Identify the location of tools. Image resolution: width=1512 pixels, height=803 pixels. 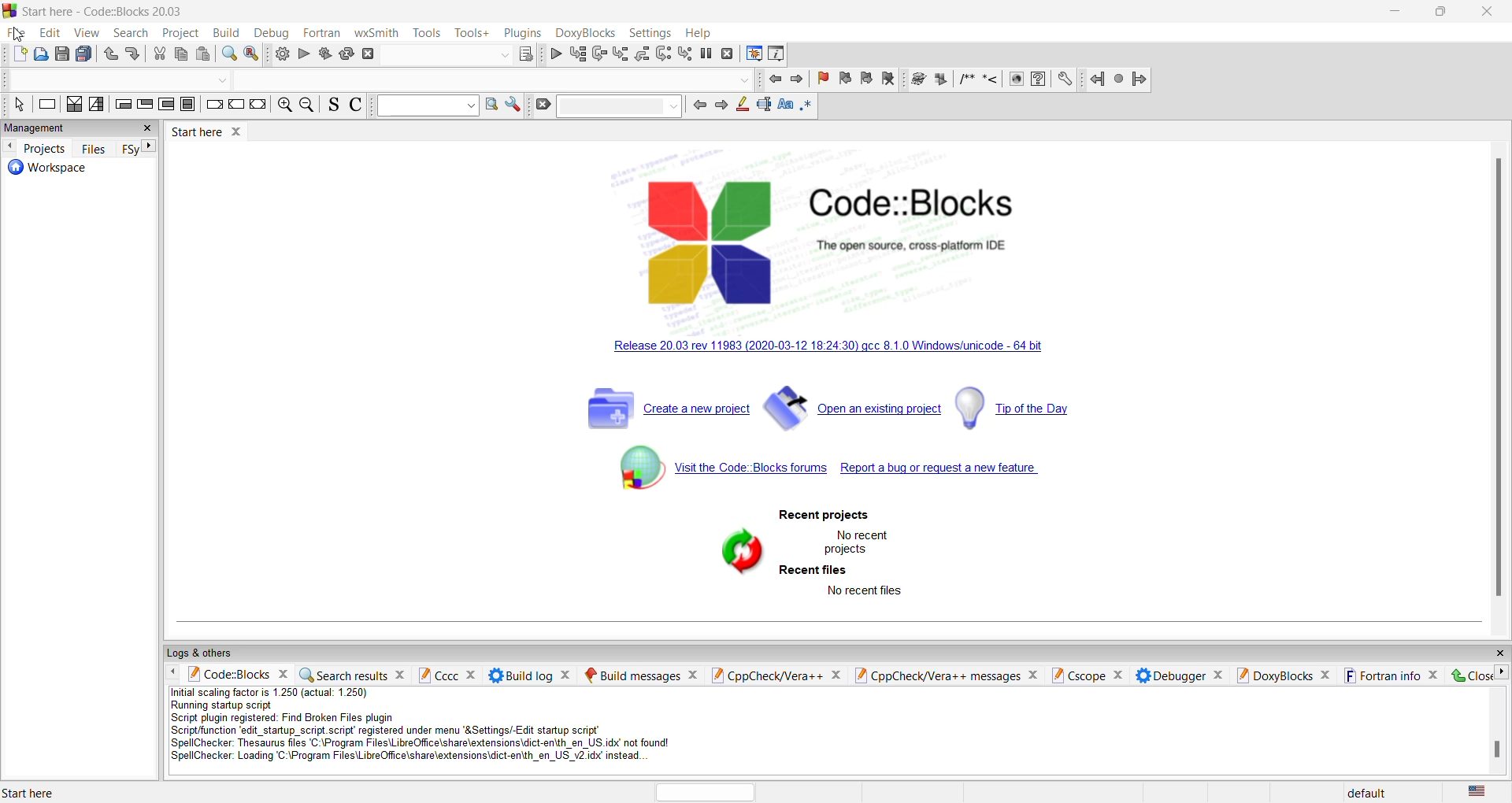
(428, 32).